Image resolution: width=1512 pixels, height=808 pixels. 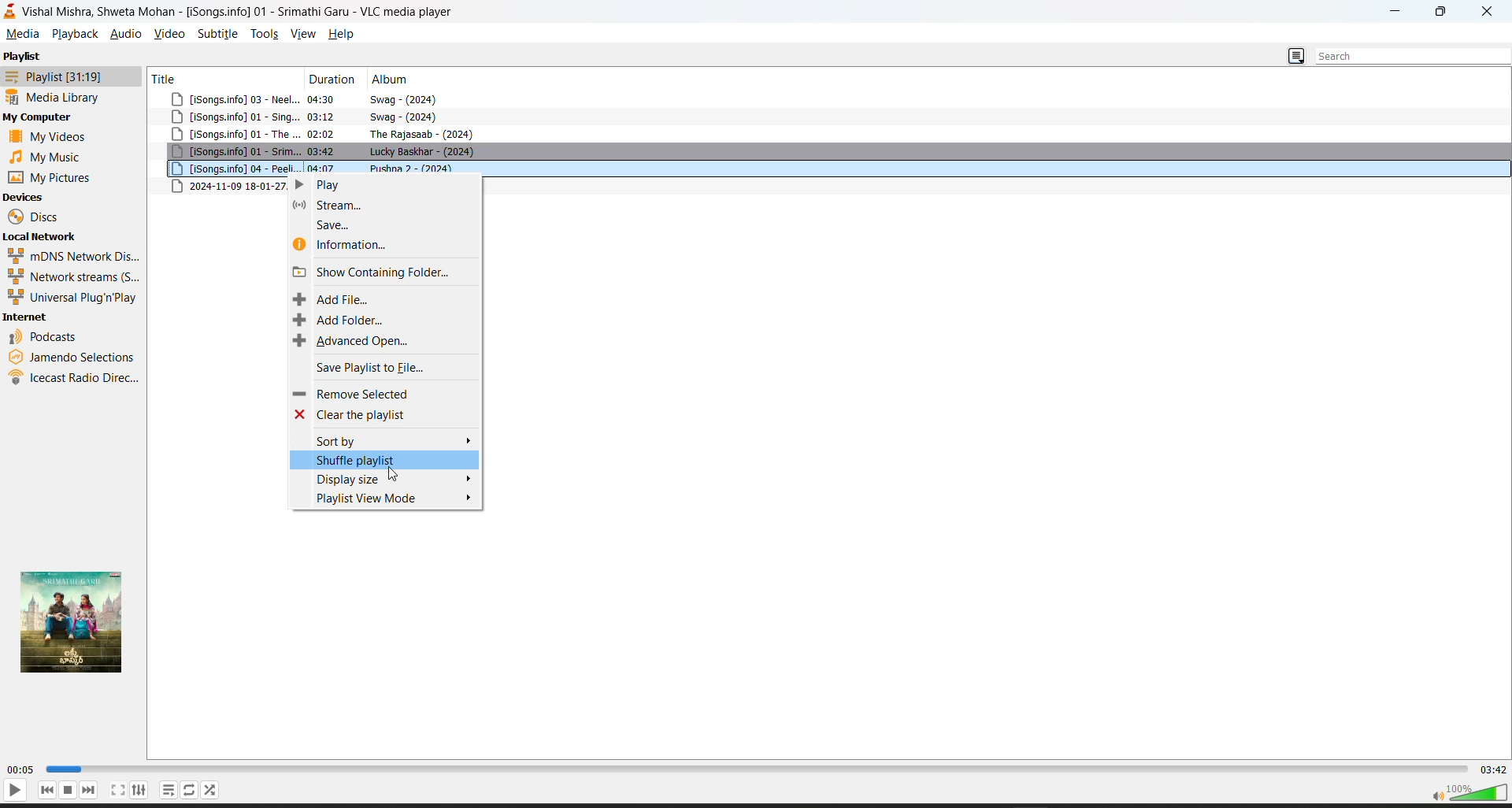 I want to click on universal plug n play, so click(x=73, y=297).